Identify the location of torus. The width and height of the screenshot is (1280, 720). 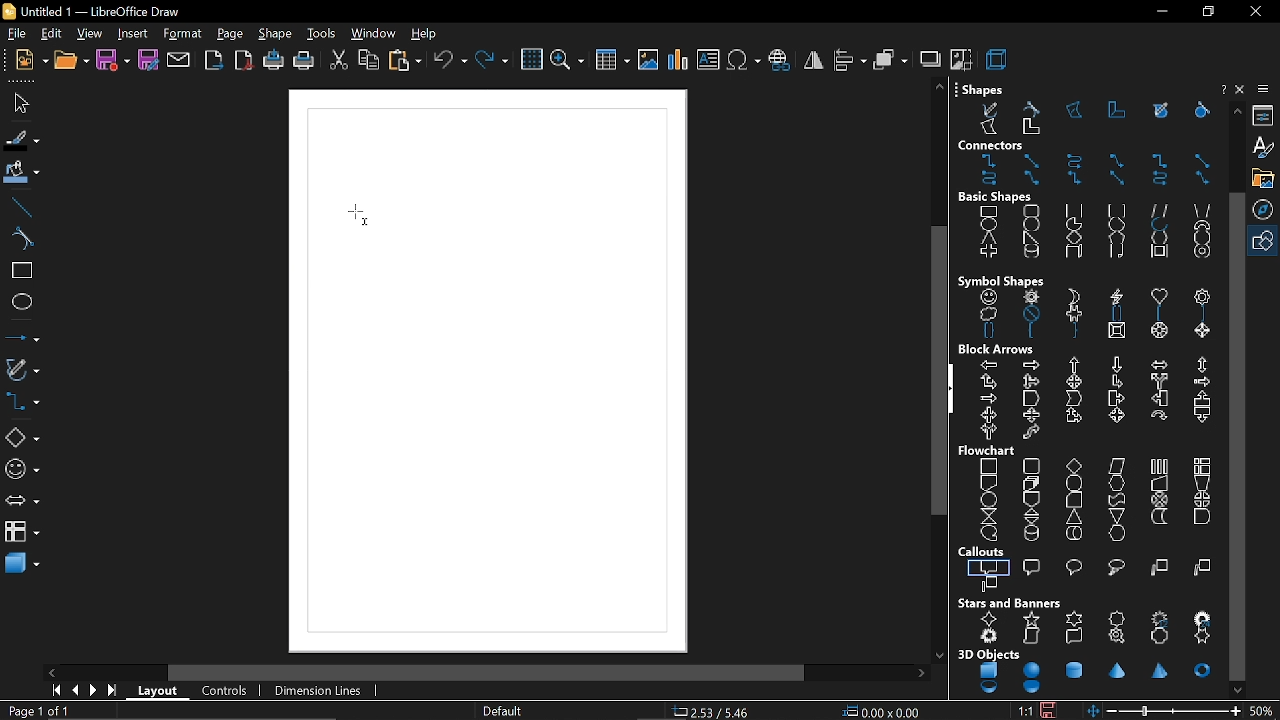
(1203, 670).